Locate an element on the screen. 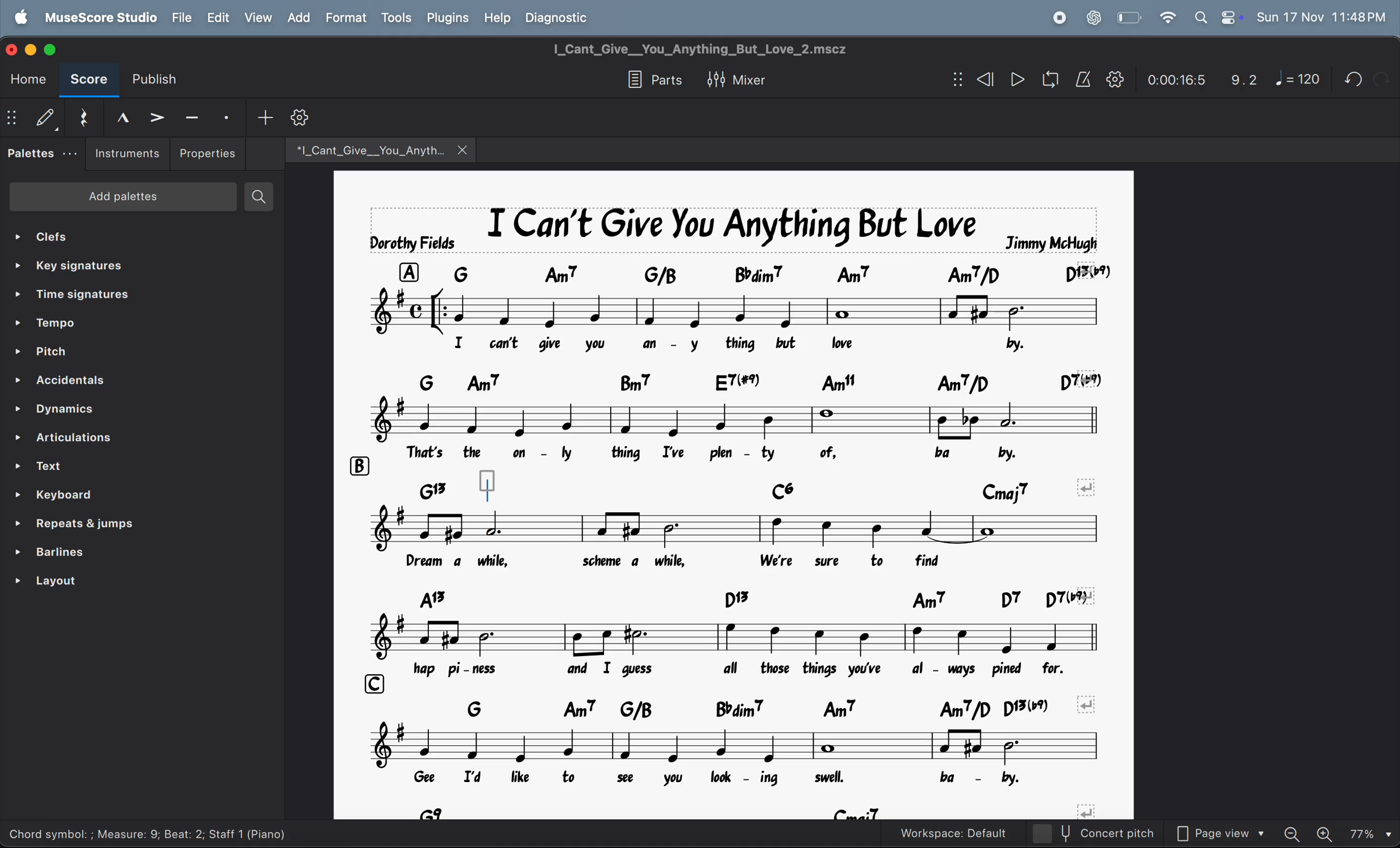 This screenshot has height=848, width=1400. chord symbols is located at coordinates (757, 599).